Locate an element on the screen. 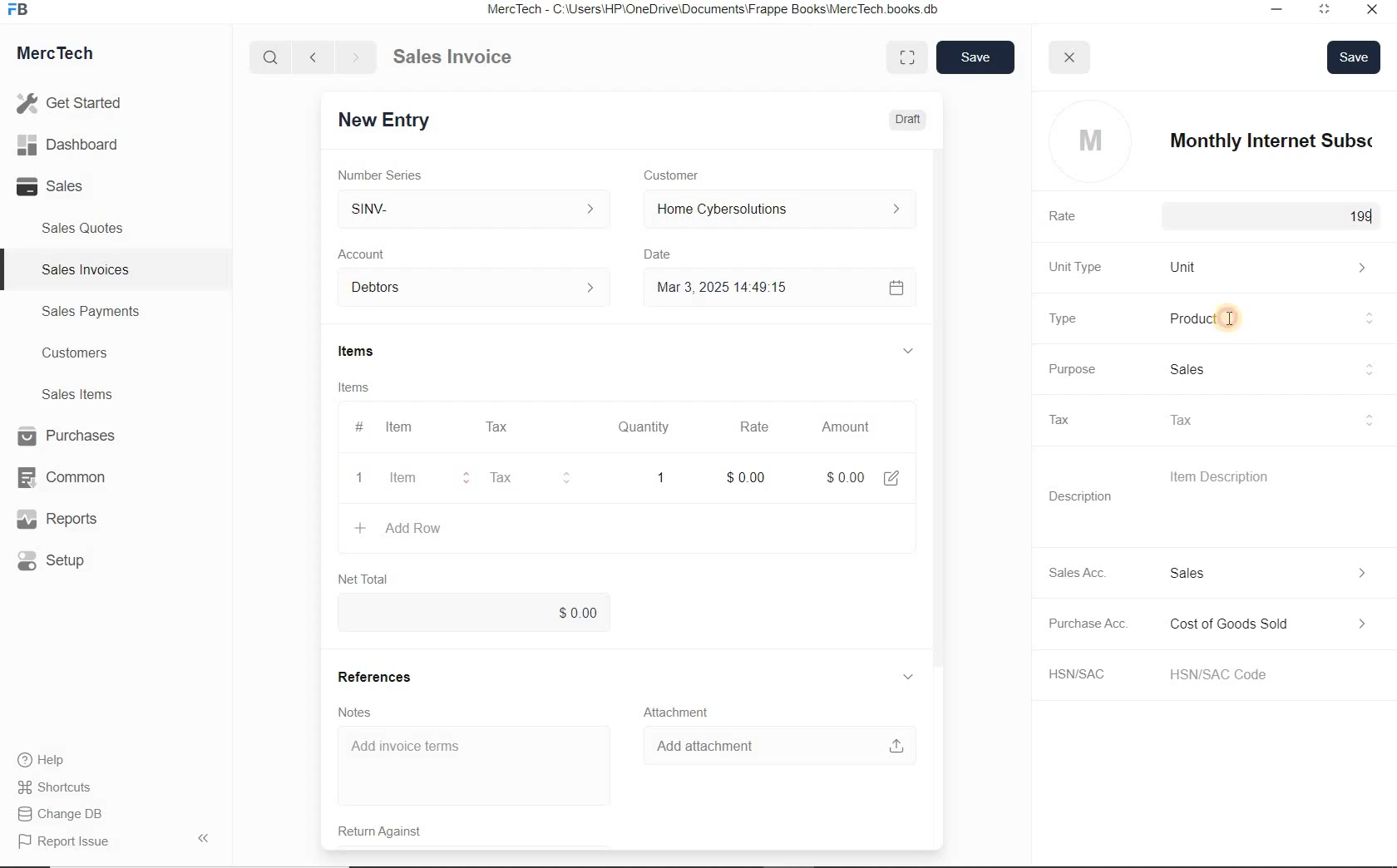 This screenshot has height=868, width=1397. Return Against is located at coordinates (391, 830).